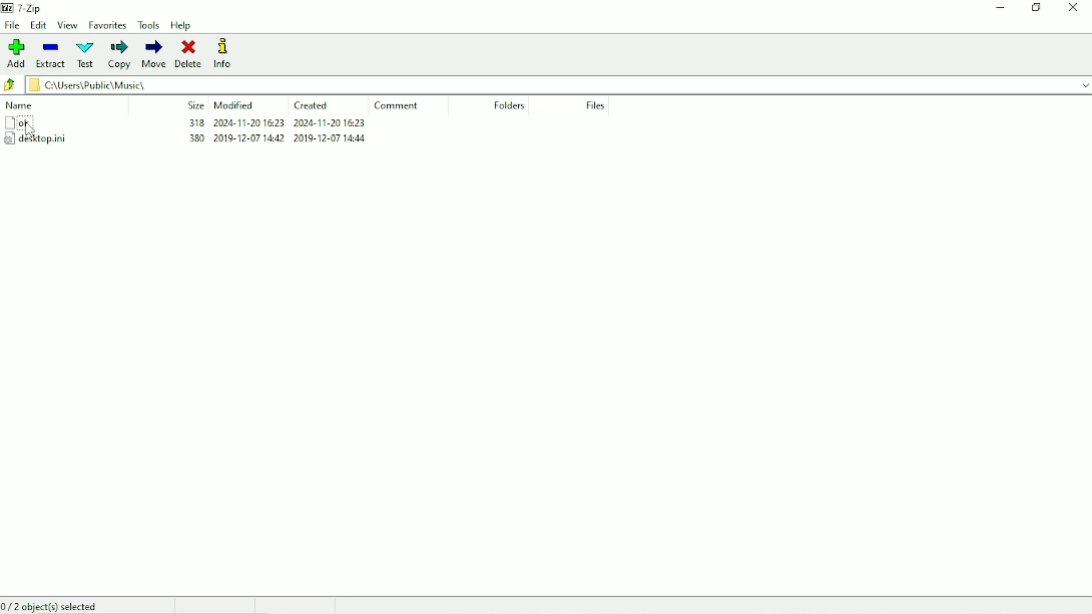 The height and width of the screenshot is (614, 1092). I want to click on cursor, so click(31, 131).